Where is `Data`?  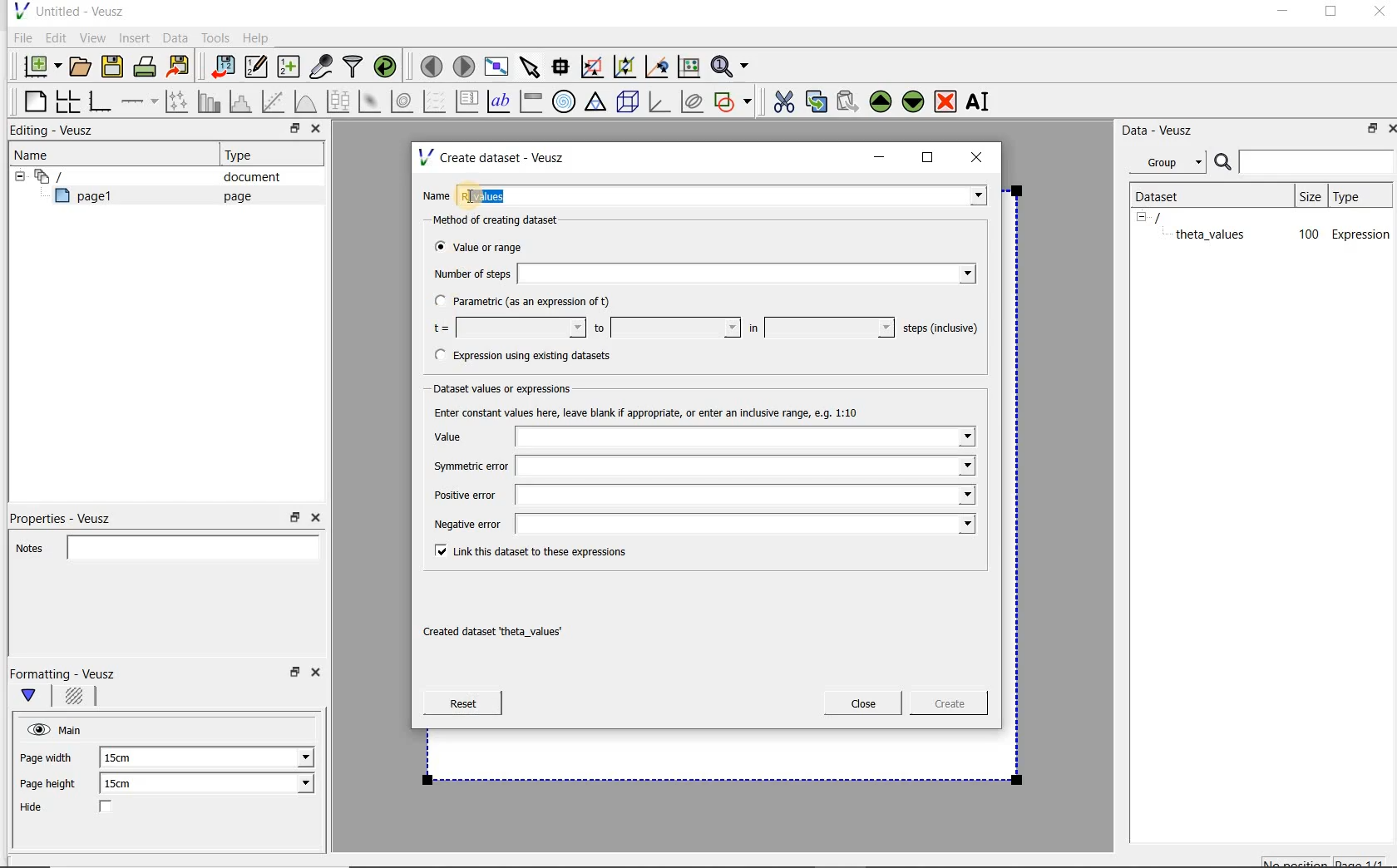
Data is located at coordinates (176, 37).